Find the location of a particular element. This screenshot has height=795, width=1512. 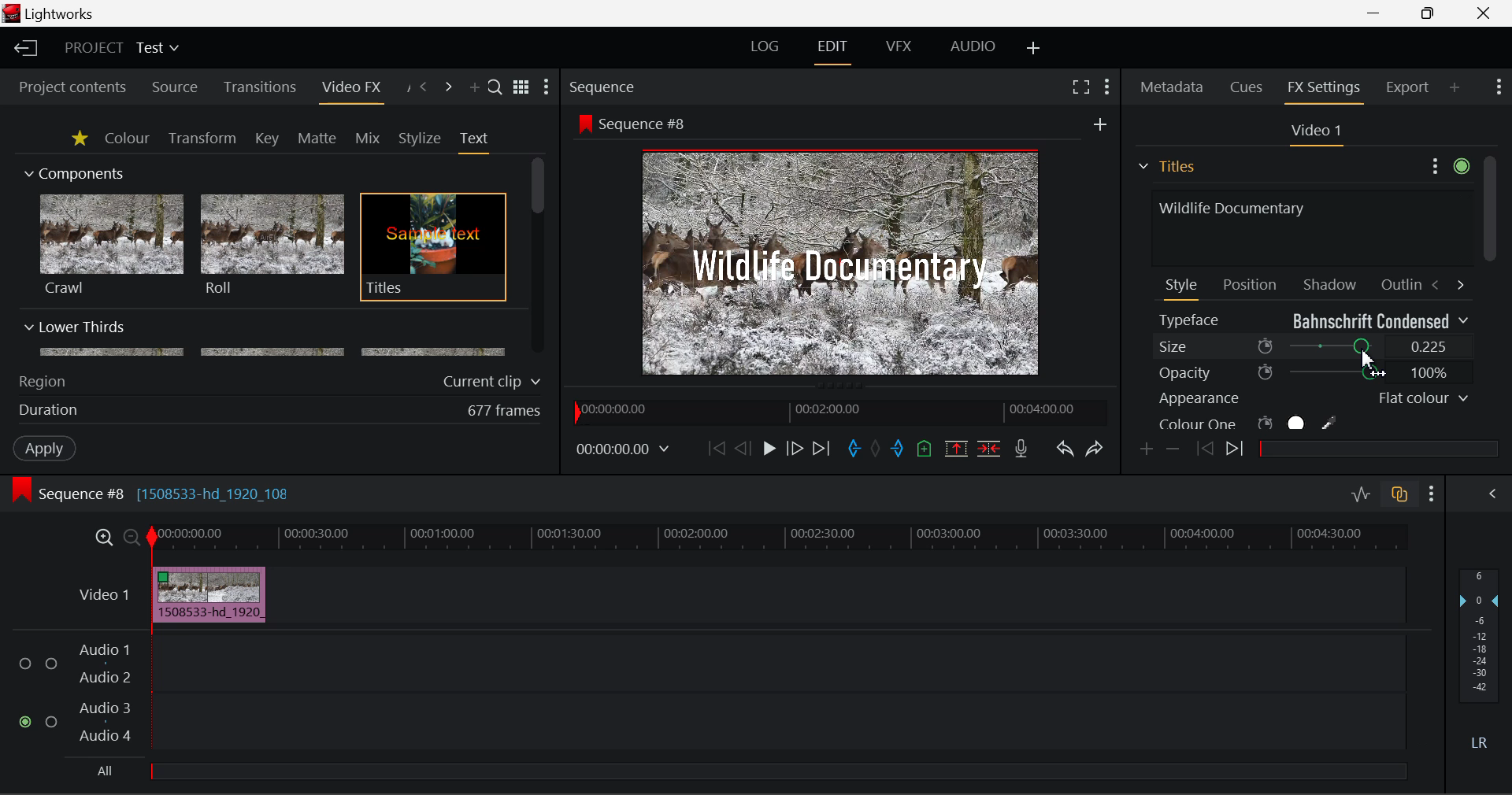

Clip Inserted is located at coordinates (205, 595).